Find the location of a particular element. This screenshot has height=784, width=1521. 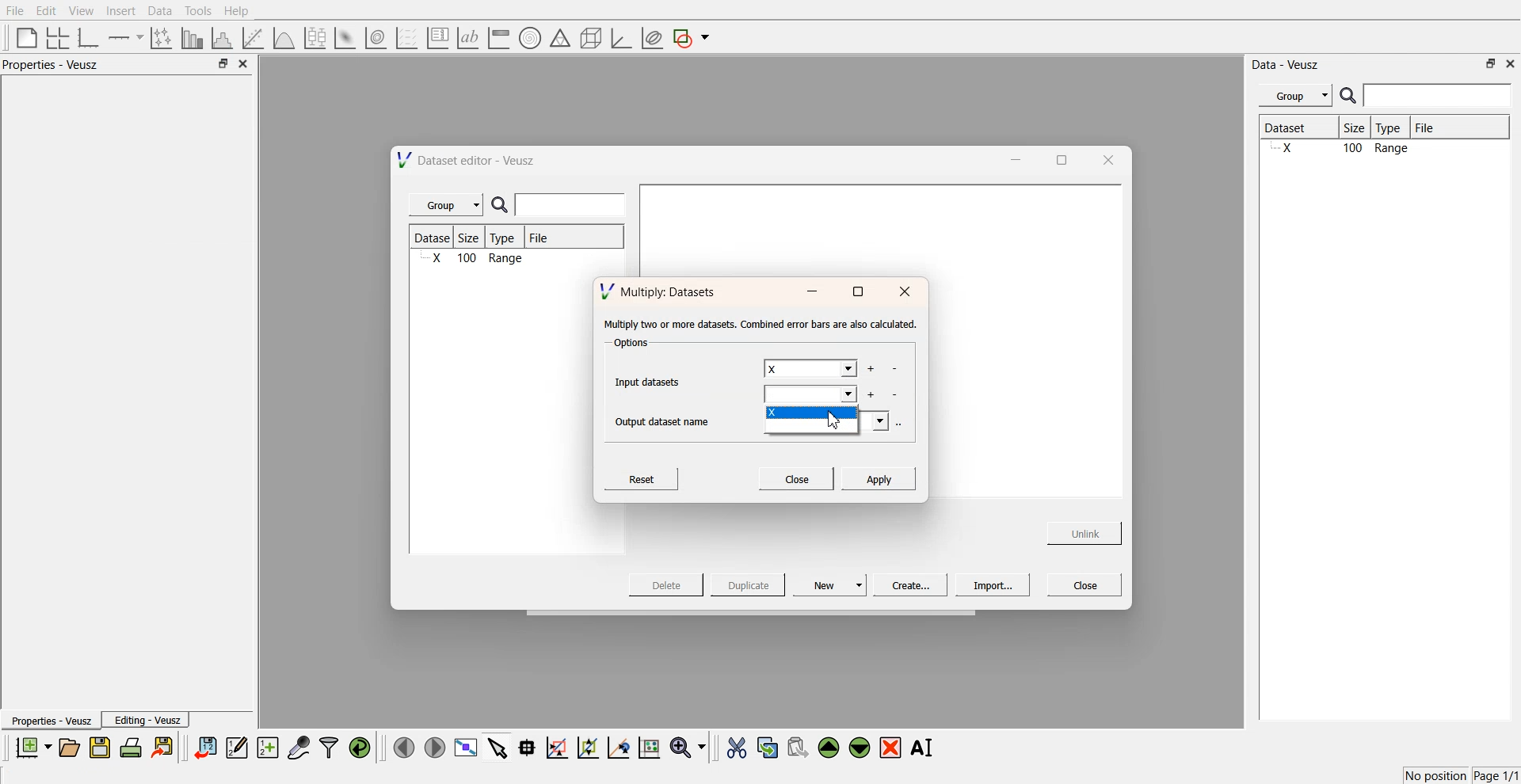

export is located at coordinates (164, 747).